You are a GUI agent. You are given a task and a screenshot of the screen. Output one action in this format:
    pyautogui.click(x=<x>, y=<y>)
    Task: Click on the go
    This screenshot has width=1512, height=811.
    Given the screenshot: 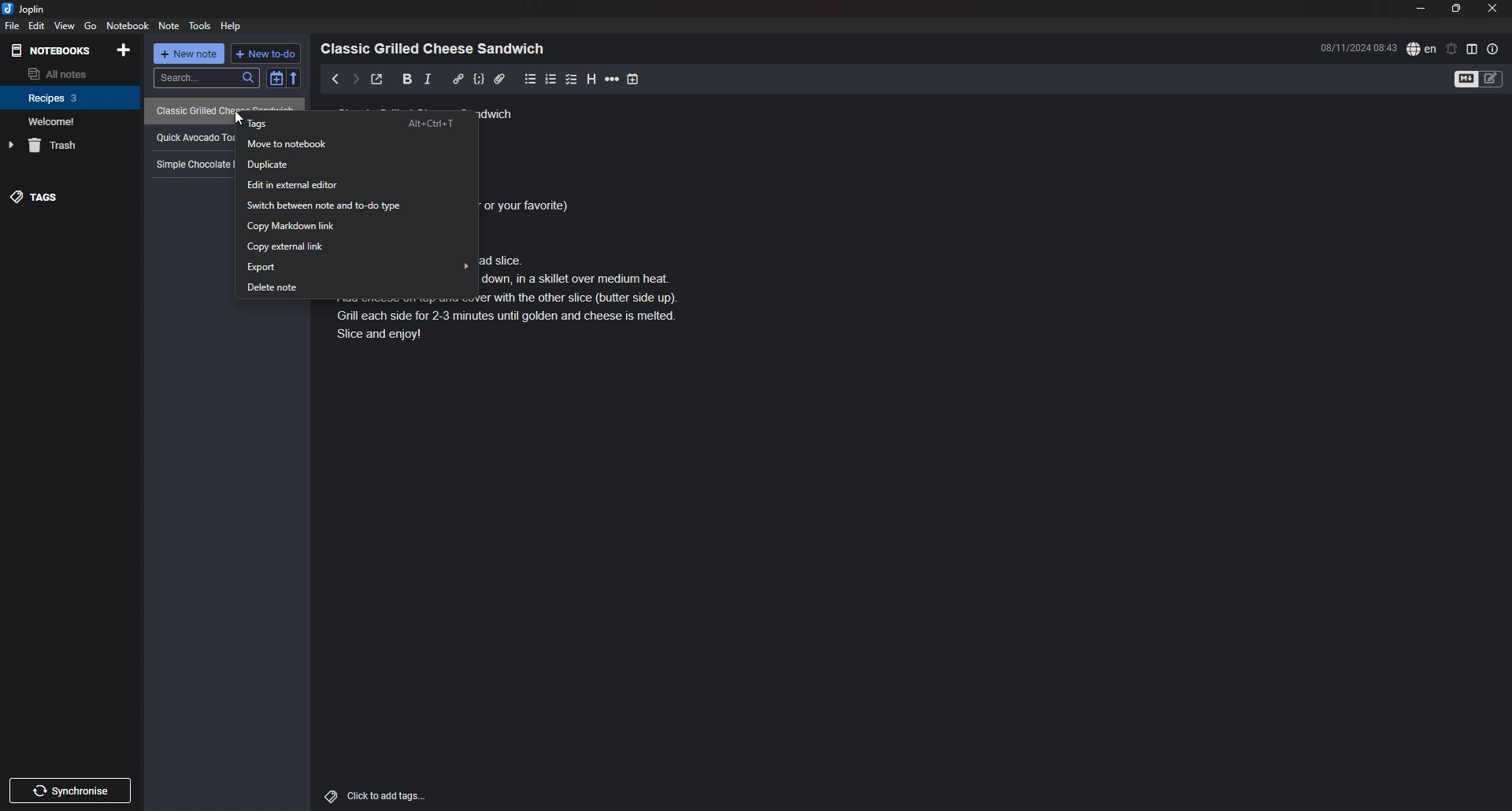 What is the action you would take?
    pyautogui.click(x=91, y=25)
    